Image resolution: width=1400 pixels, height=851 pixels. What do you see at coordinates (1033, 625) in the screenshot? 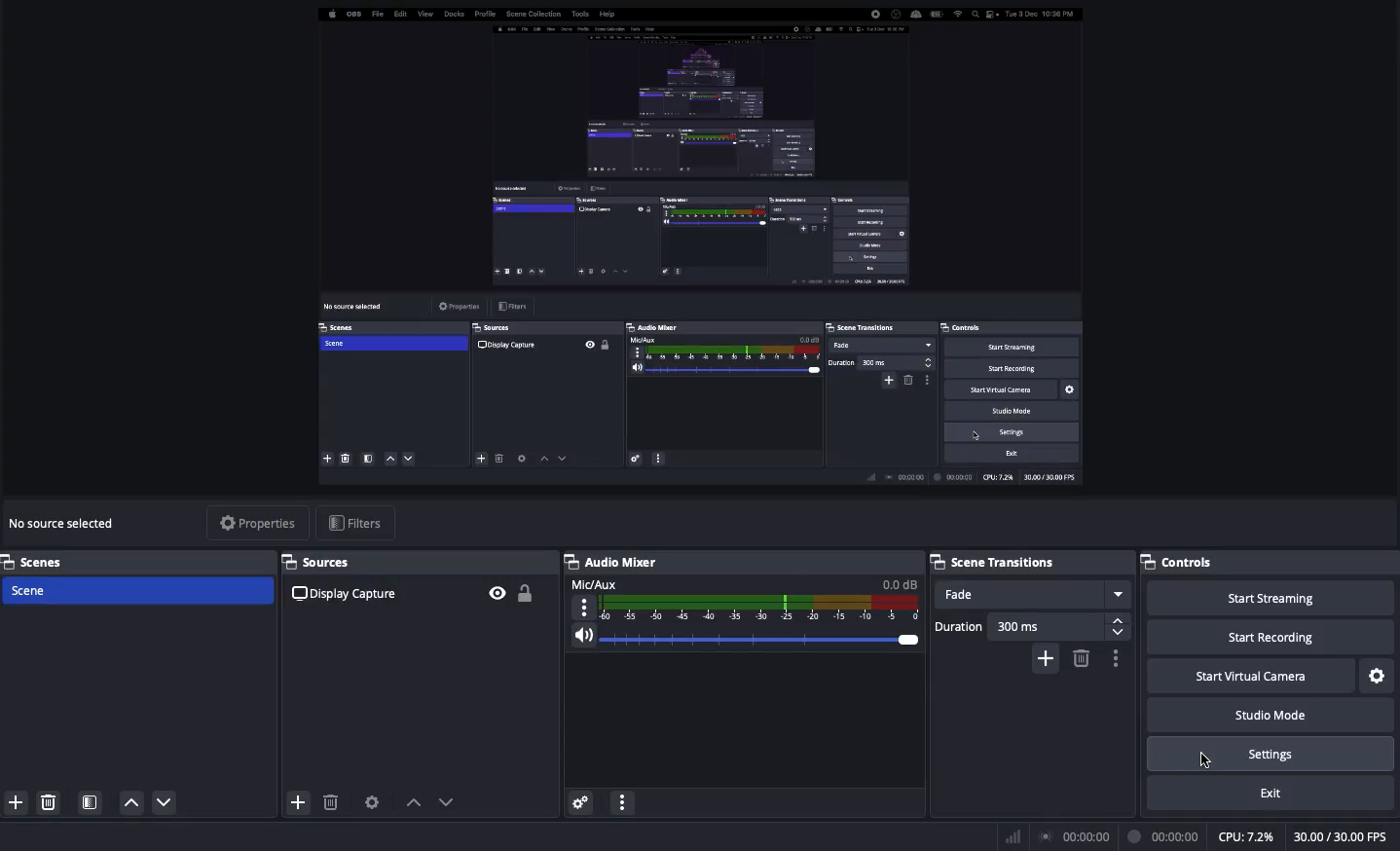
I see `Duration` at bounding box center [1033, 625].